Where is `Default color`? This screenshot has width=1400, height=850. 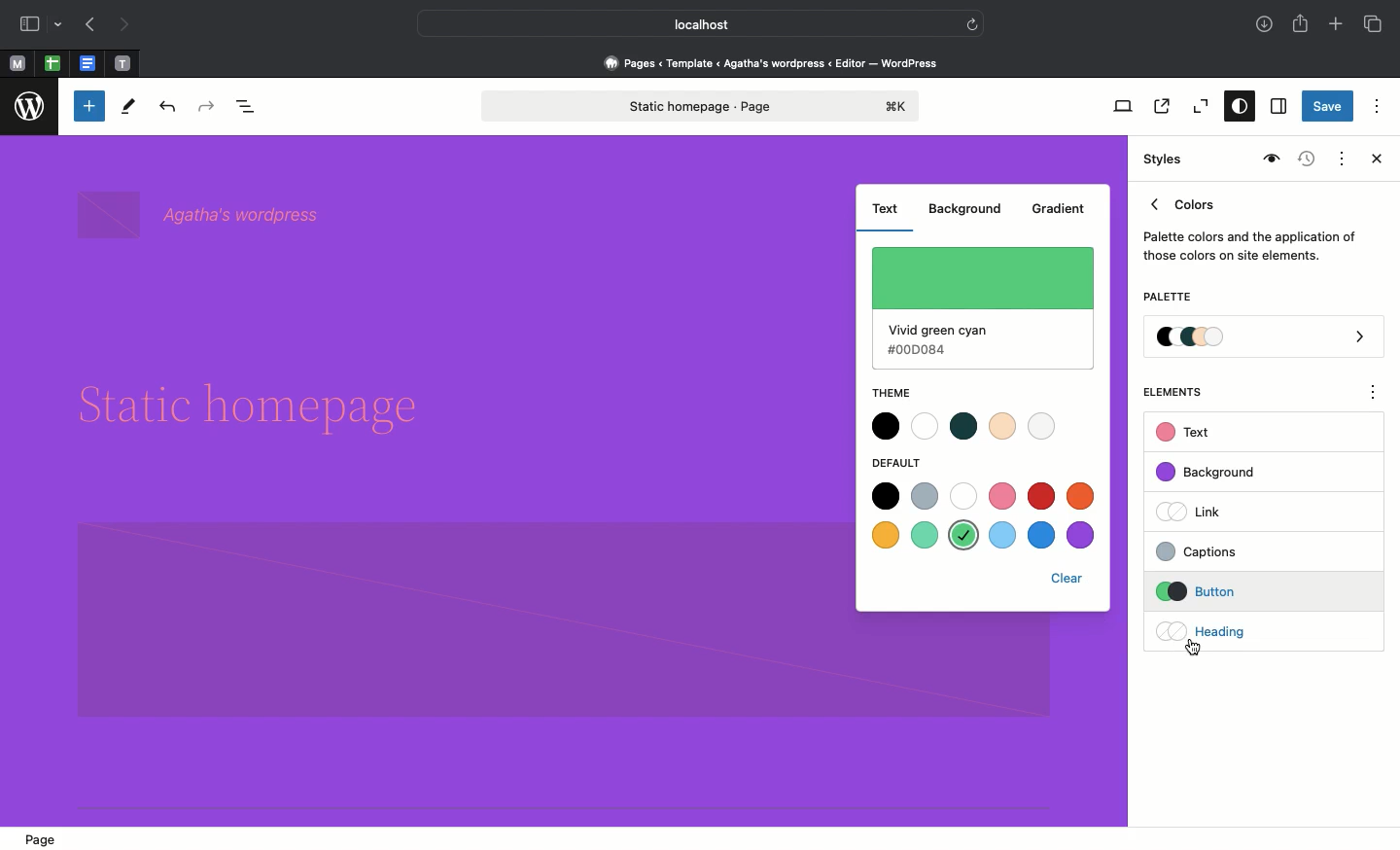 Default color is located at coordinates (986, 516).